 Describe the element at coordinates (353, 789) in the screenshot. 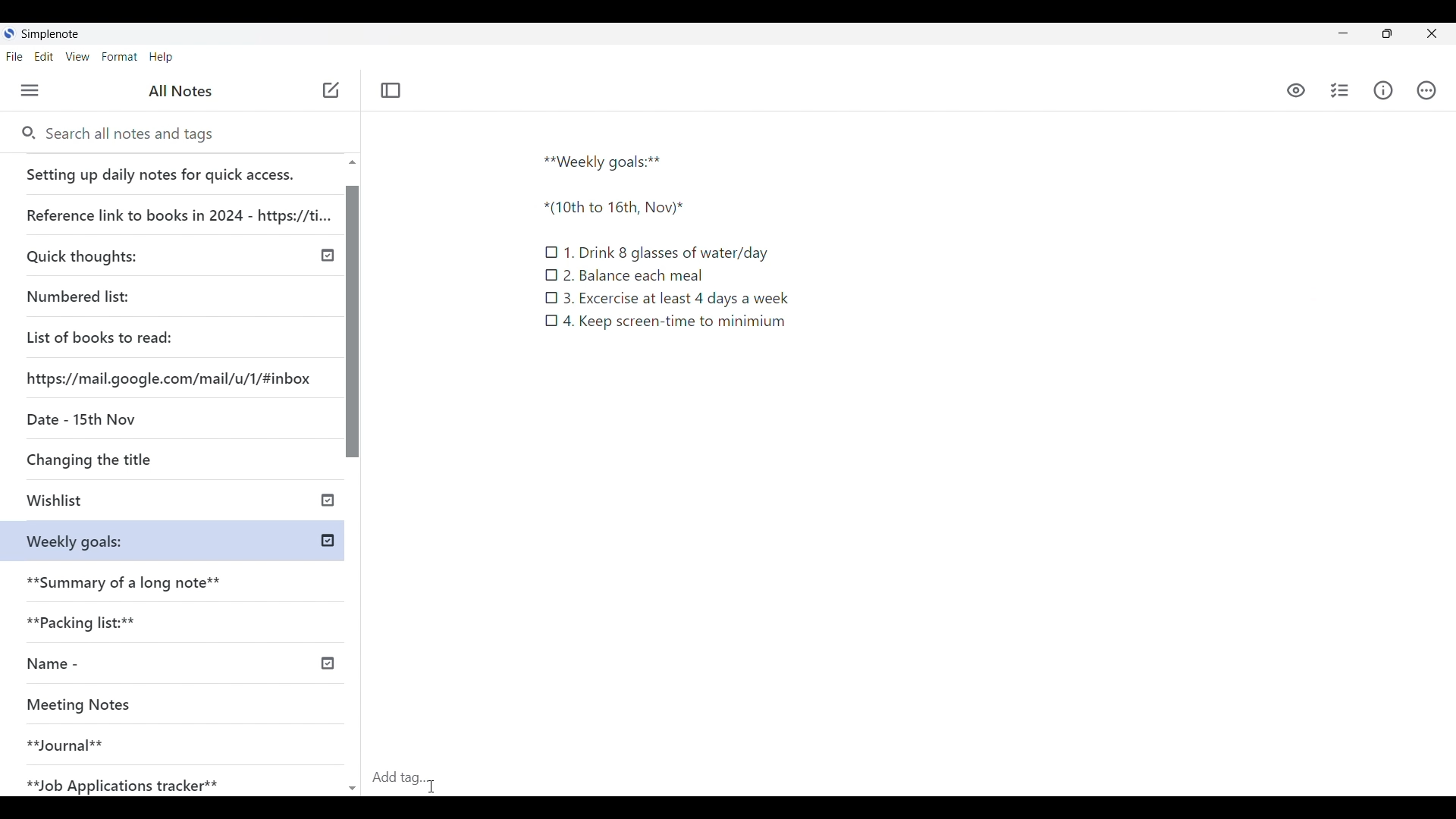

I see `Quick slide to top` at that location.